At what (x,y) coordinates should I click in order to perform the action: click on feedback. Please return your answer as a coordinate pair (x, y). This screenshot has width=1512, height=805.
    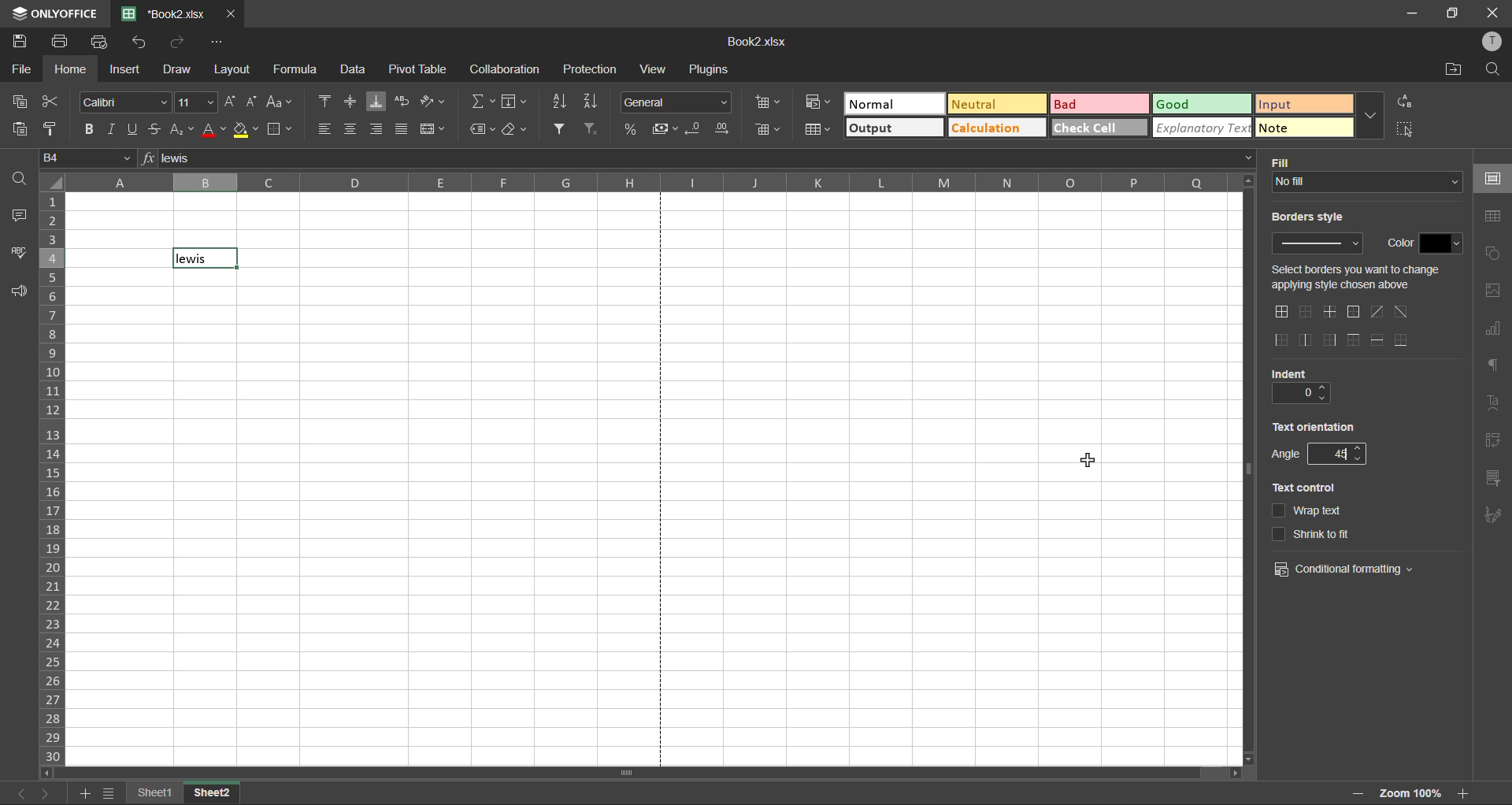
    Looking at the image, I should click on (19, 291).